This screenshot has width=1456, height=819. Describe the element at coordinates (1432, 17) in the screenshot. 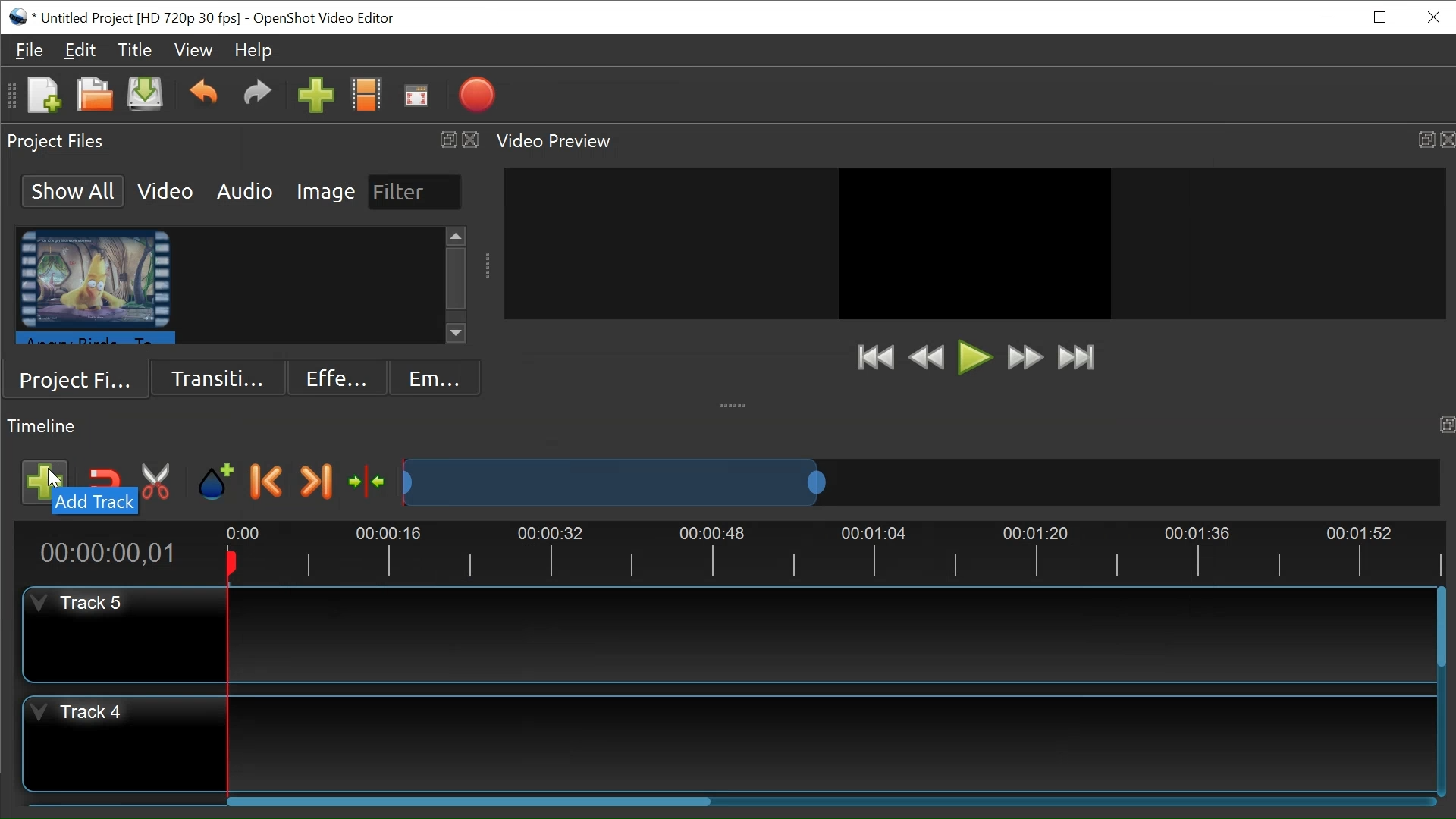

I see `Close` at that location.